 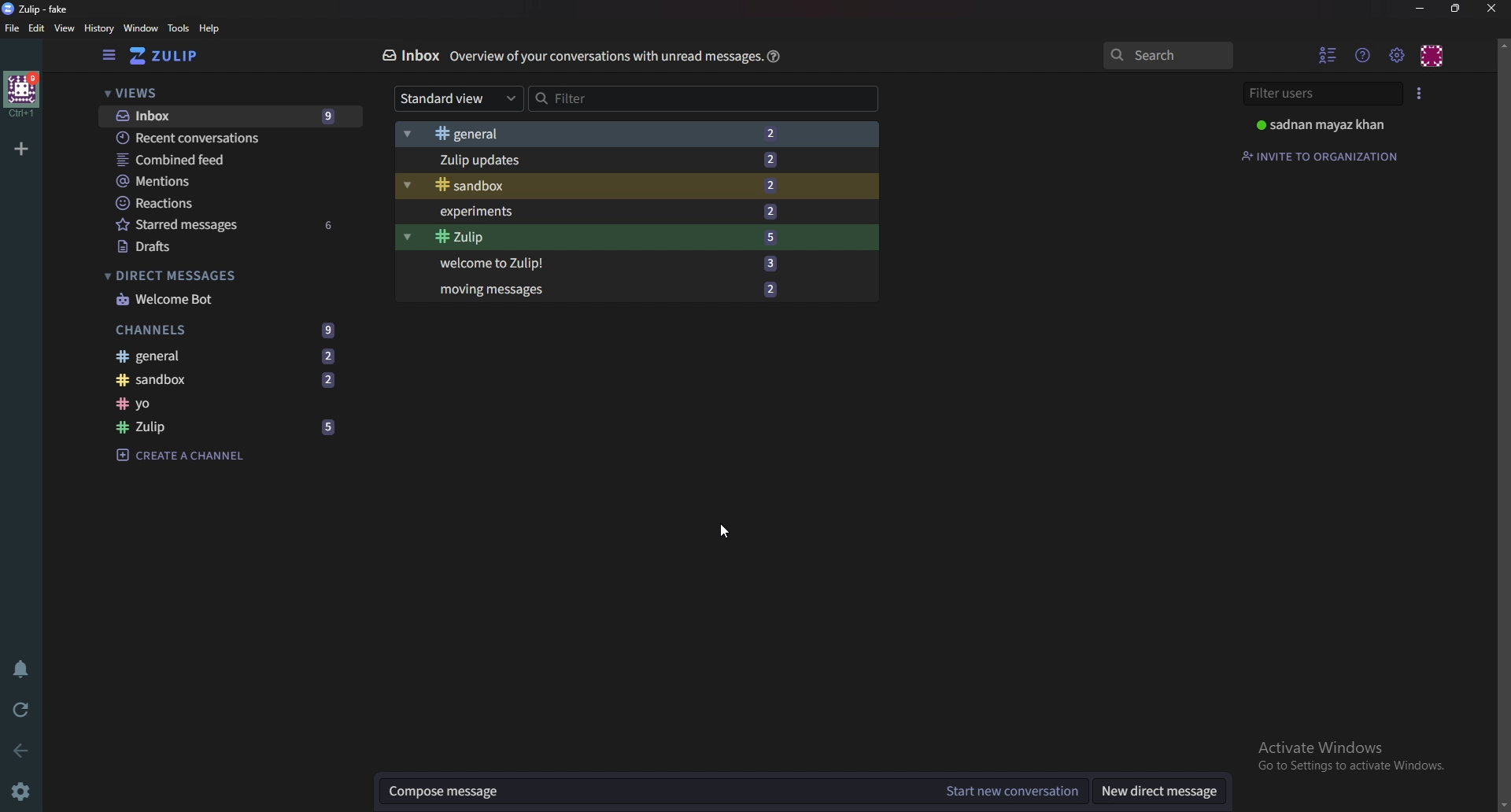 I want to click on Add organization, so click(x=21, y=149).